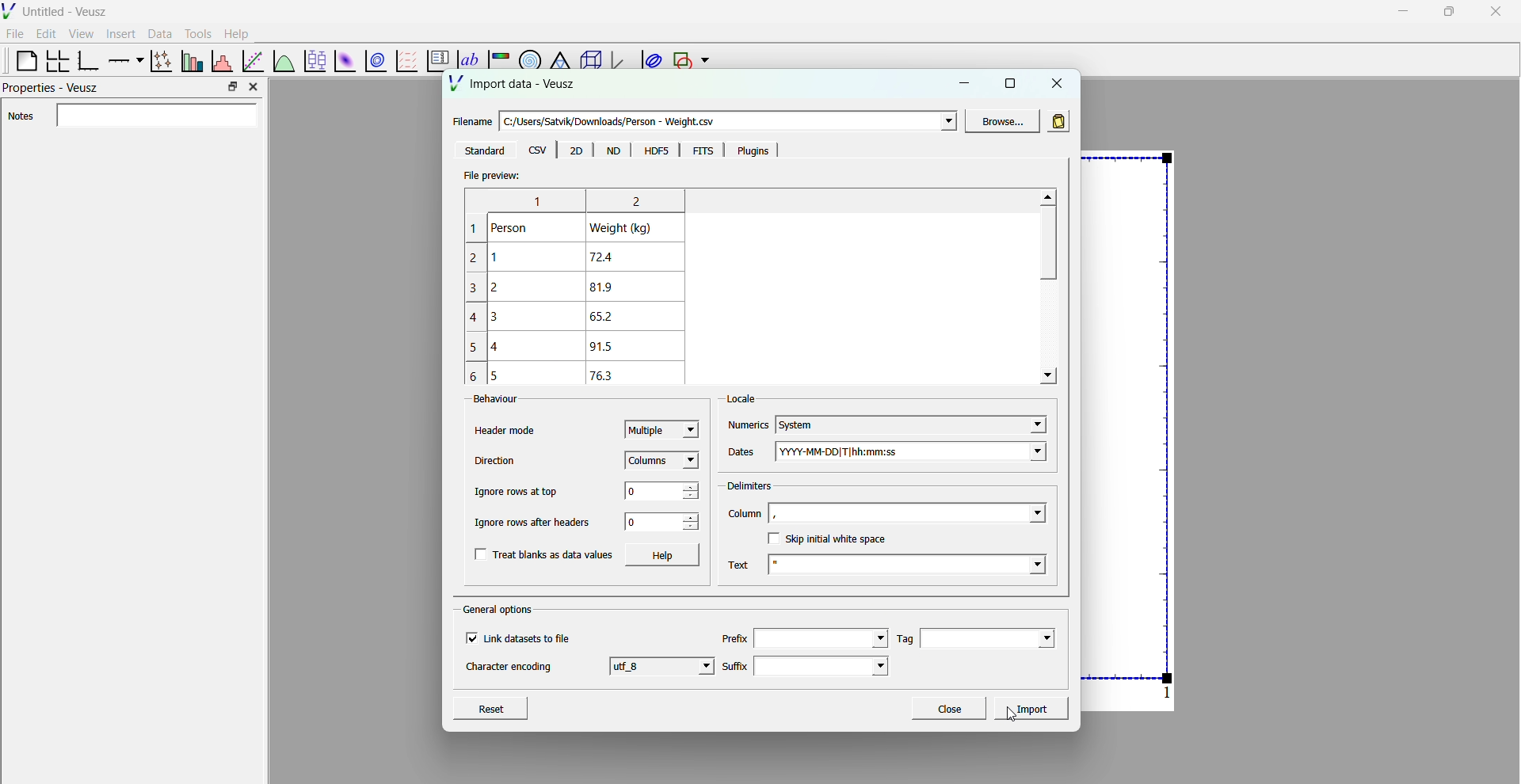 This screenshot has height=784, width=1521. I want to click on Histogram of a dataset, so click(221, 59).